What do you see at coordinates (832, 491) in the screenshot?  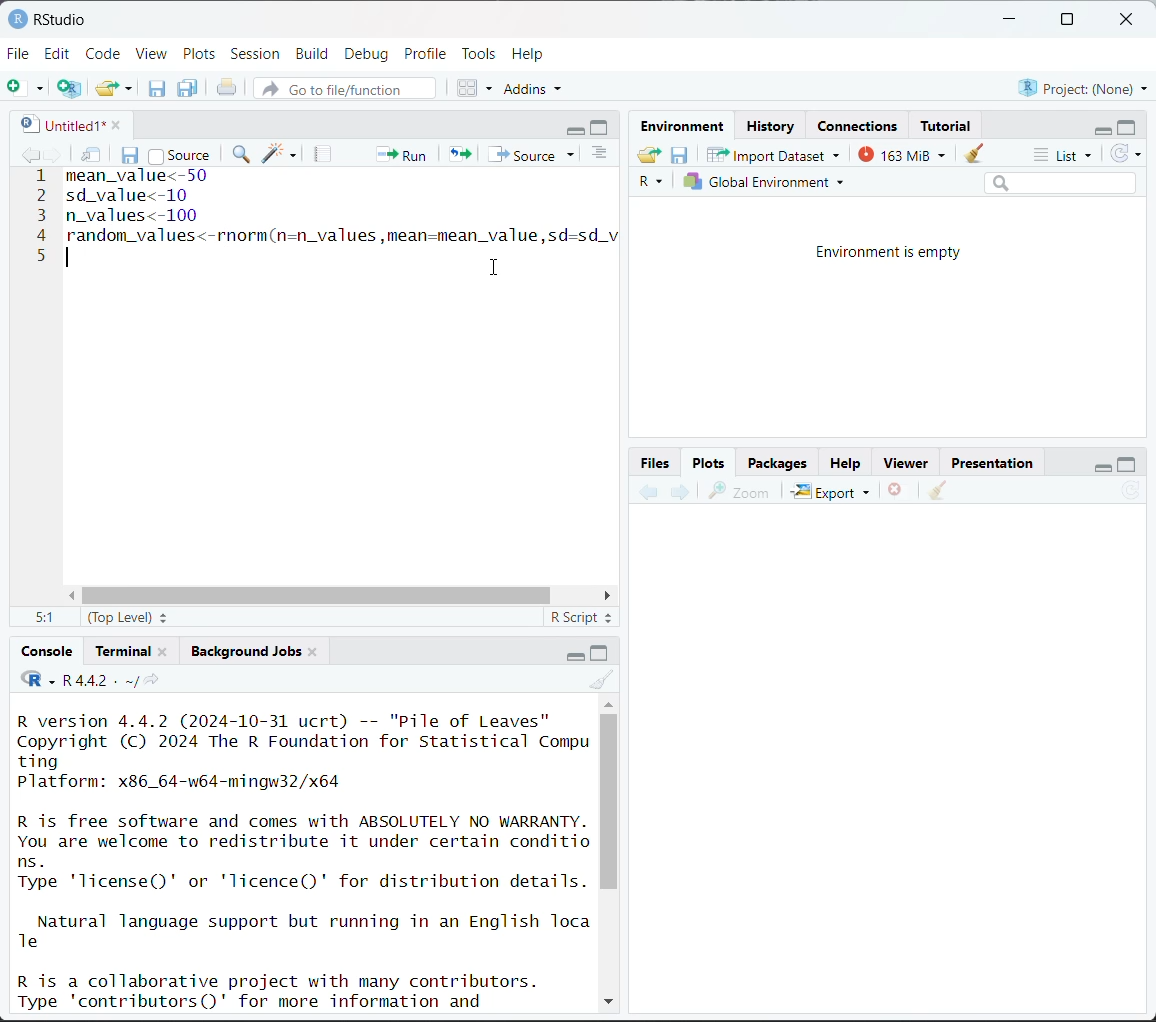 I see `Export` at bounding box center [832, 491].